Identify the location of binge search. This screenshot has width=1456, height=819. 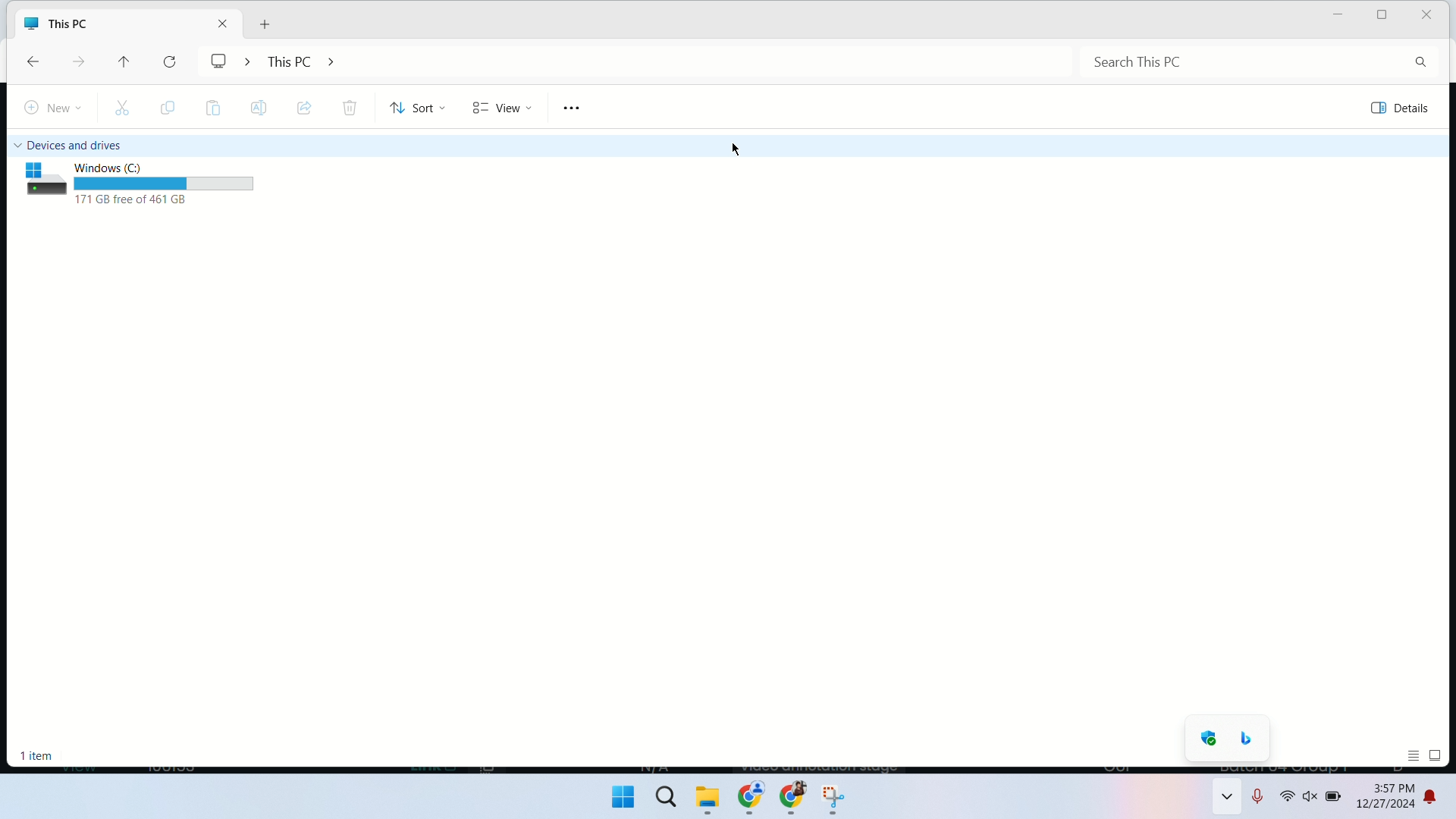
(1249, 739).